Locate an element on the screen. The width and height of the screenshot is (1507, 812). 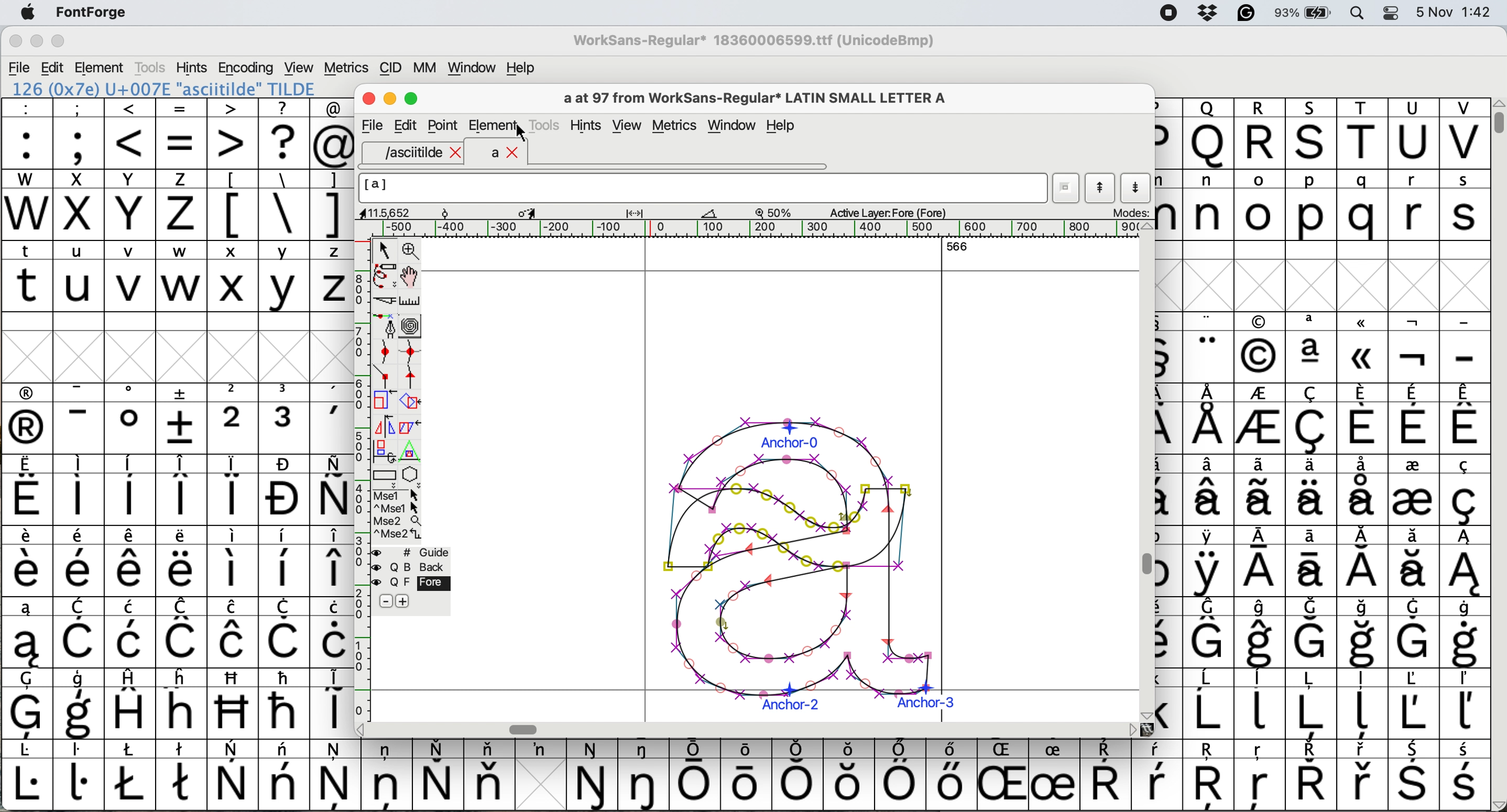
symbol is located at coordinates (900, 775).